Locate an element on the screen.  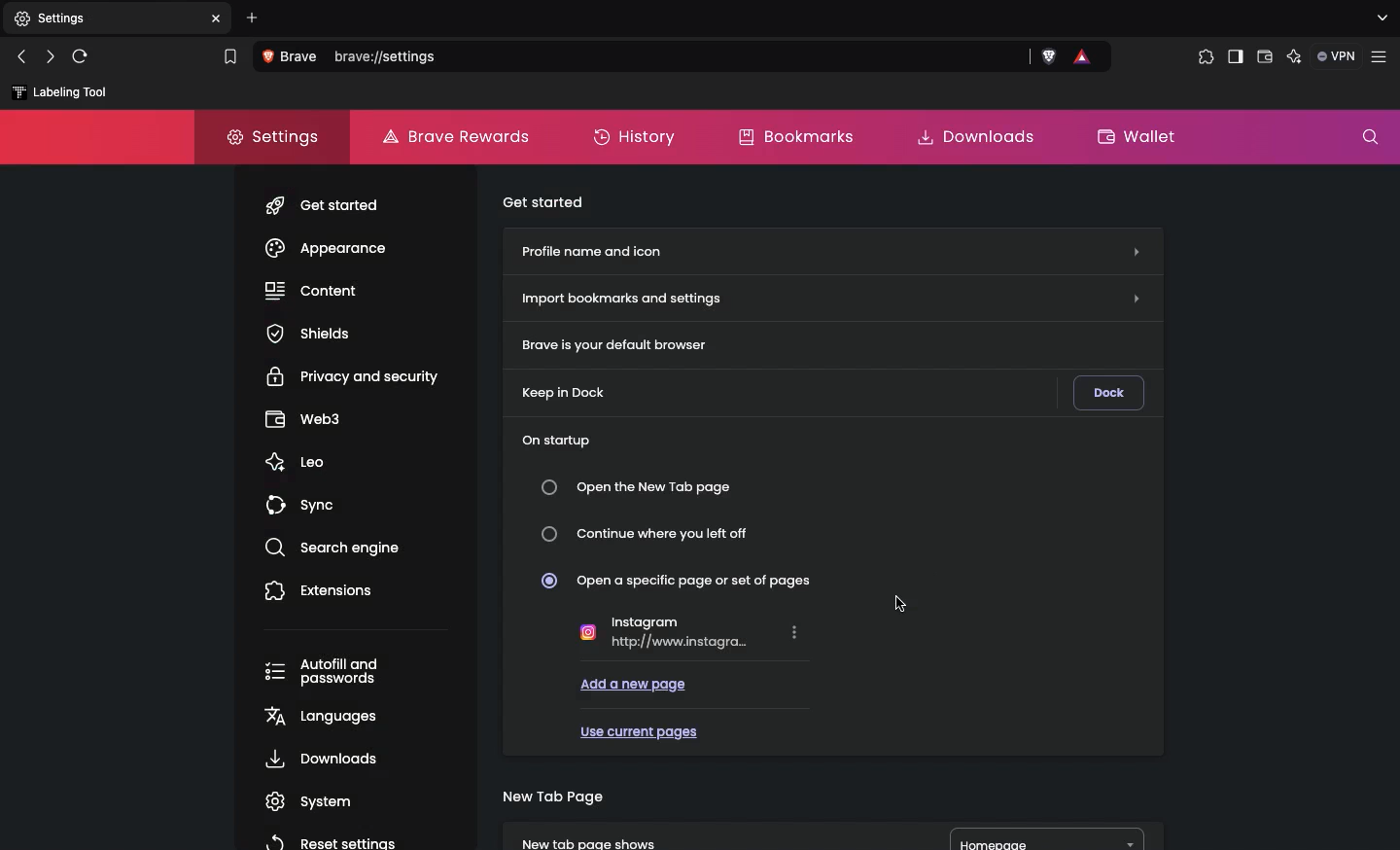
Open the new tap page is located at coordinates (642, 487).